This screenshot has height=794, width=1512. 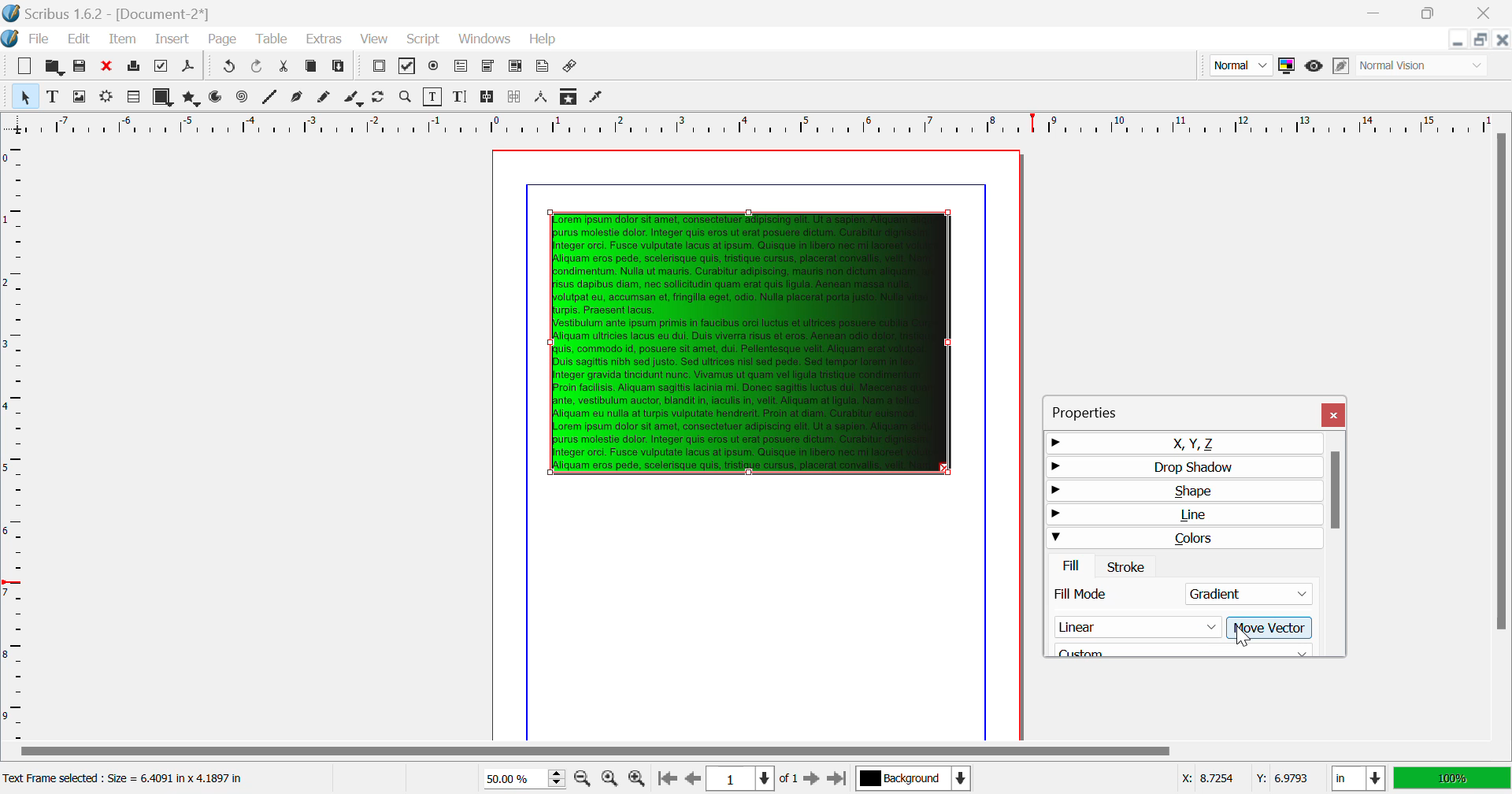 What do you see at coordinates (1452, 778) in the screenshot?
I see `Display Appearance` at bounding box center [1452, 778].